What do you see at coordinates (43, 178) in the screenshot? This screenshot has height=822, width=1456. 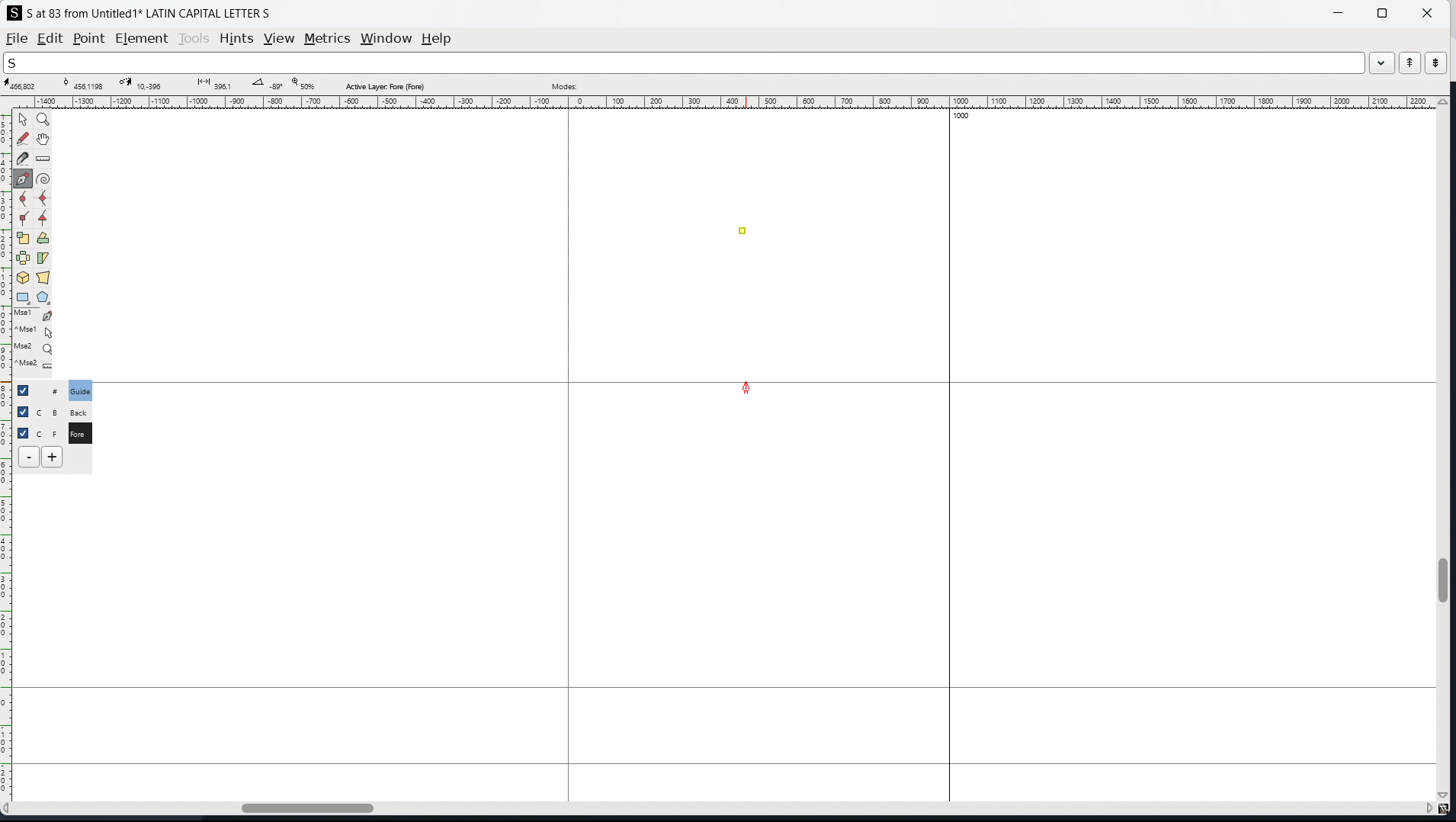 I see `toggle spiro` at bounding box center [43, 178].